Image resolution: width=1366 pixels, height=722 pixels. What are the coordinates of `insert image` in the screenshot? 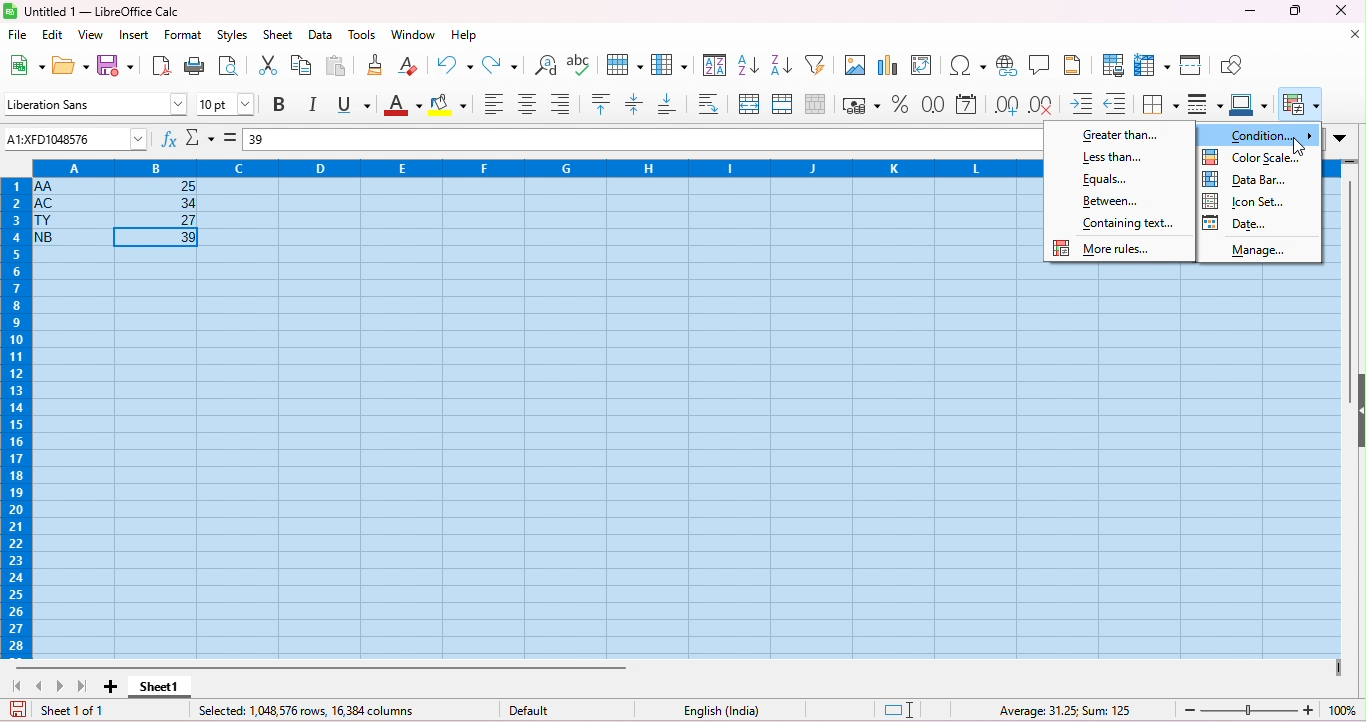 It's located at (855, 65).